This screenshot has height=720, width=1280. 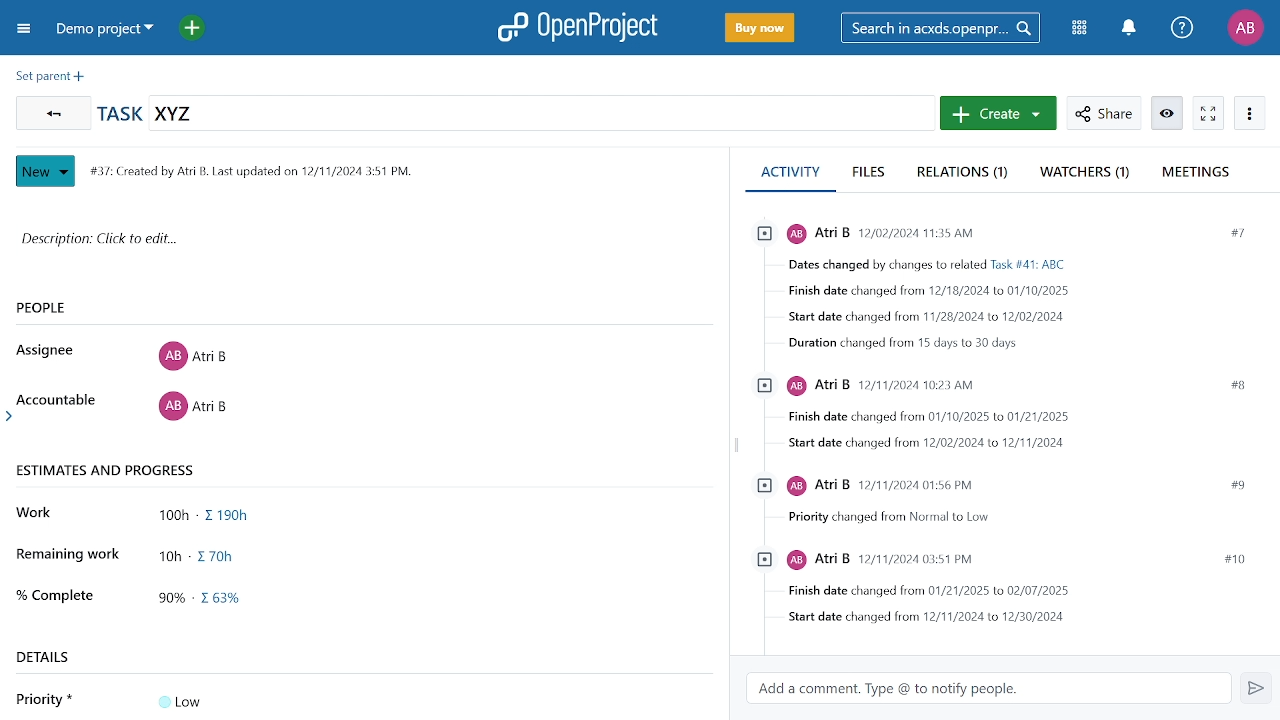 What do you see at coordinates (20, 31) in the screenshot?
I see `Collapse project menu` at bounding box center [20, 31].